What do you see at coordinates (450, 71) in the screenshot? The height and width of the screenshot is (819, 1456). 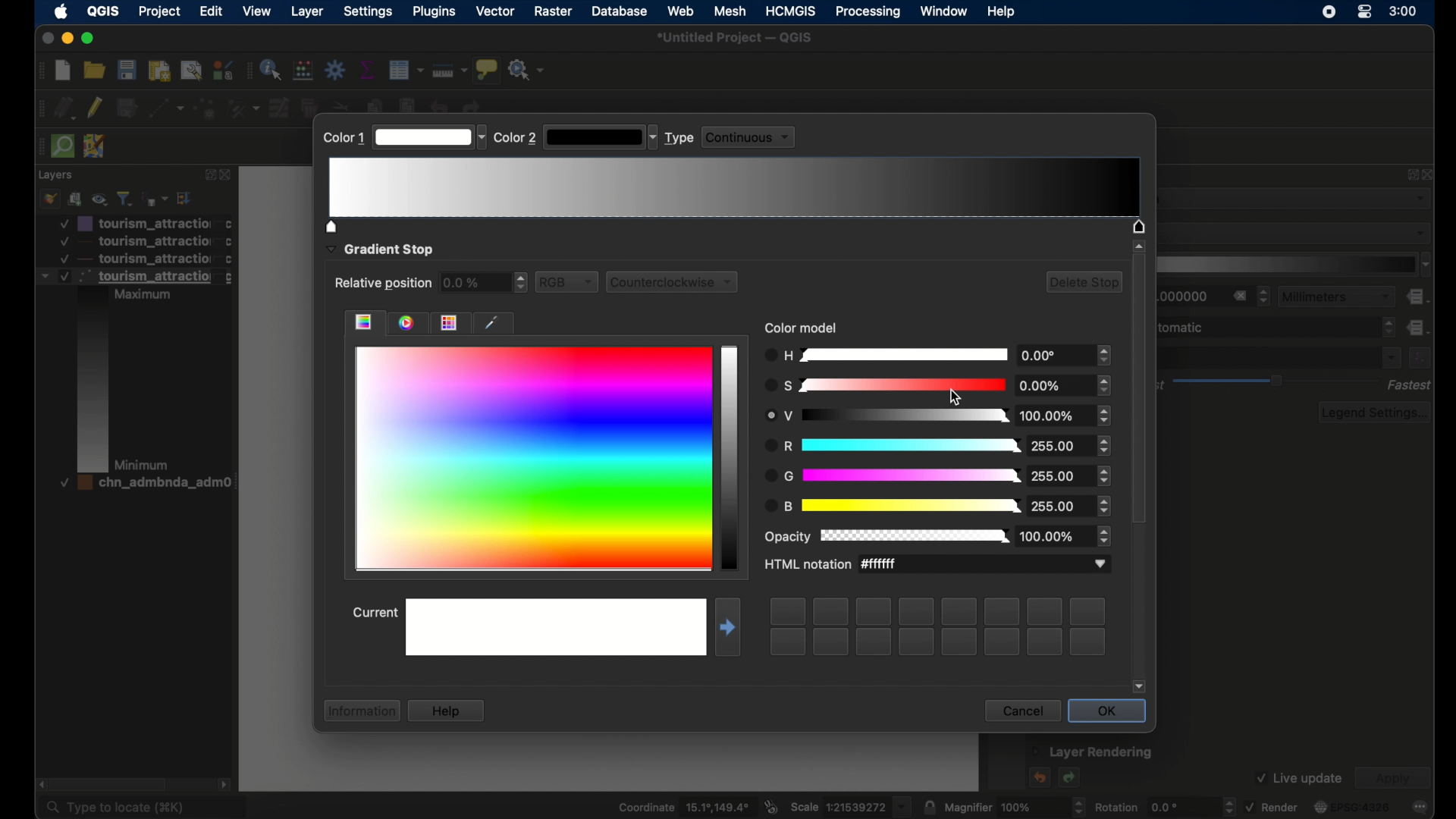 I see `measure line` at bounding box center [450, 71].